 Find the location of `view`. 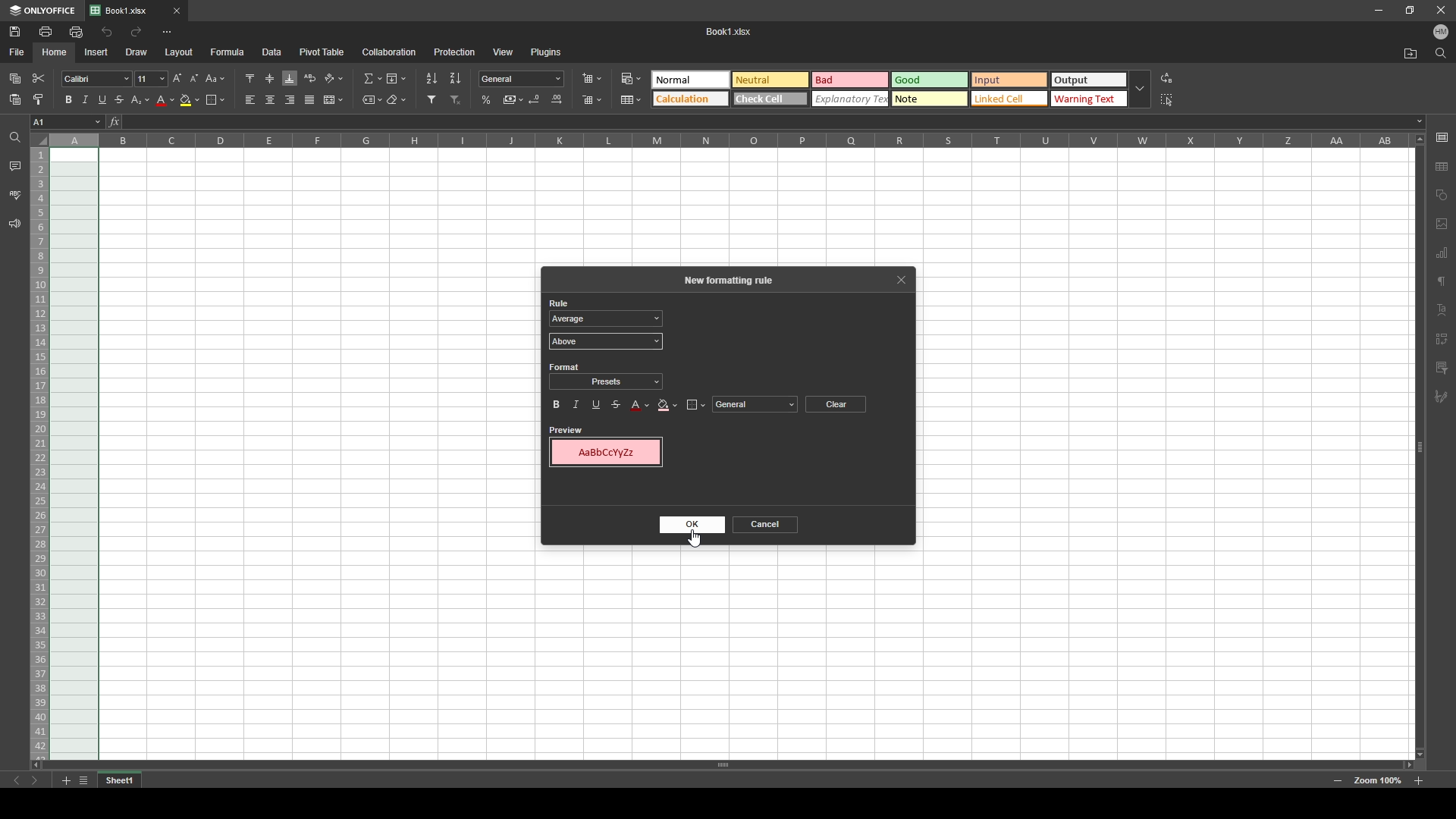

view is located at coordinates (504, 52).